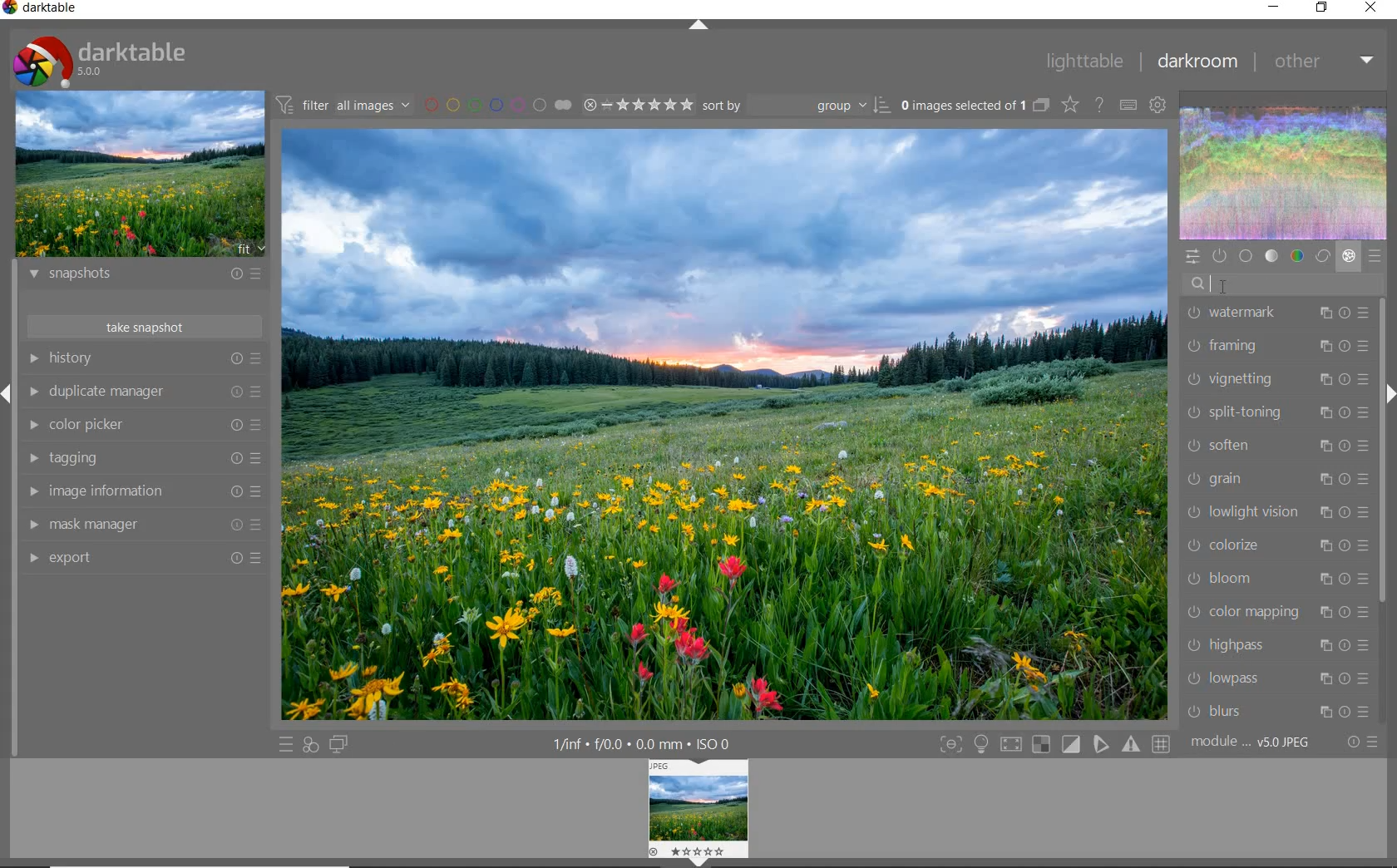 Image resolution: width=1397 pixels, height=868 pixels. Describe the element at coordinates (1275, 644) in the screenshot. I see `highpass` at that location.